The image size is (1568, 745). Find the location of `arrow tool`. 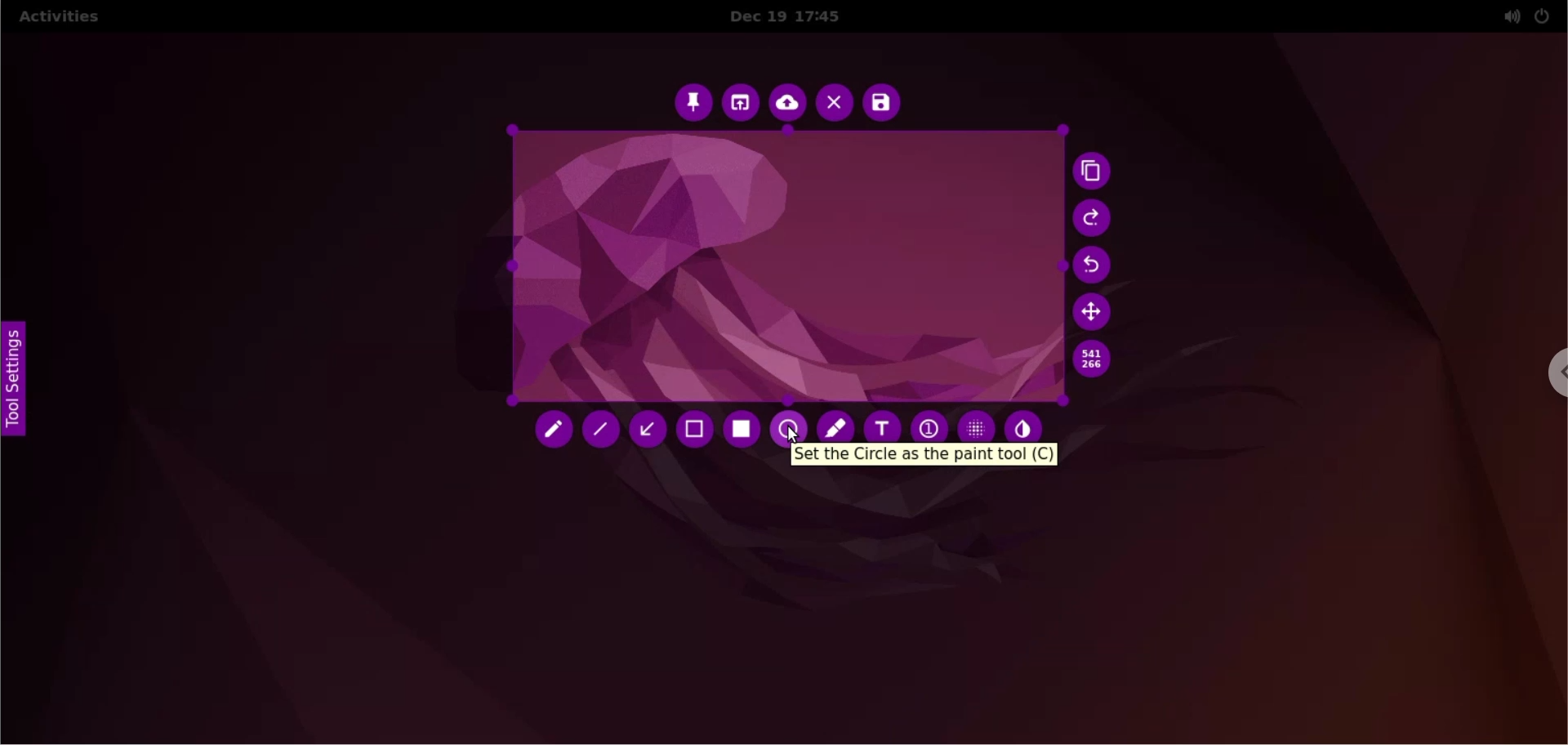

arrow tool is located at coordinates (650, 430).